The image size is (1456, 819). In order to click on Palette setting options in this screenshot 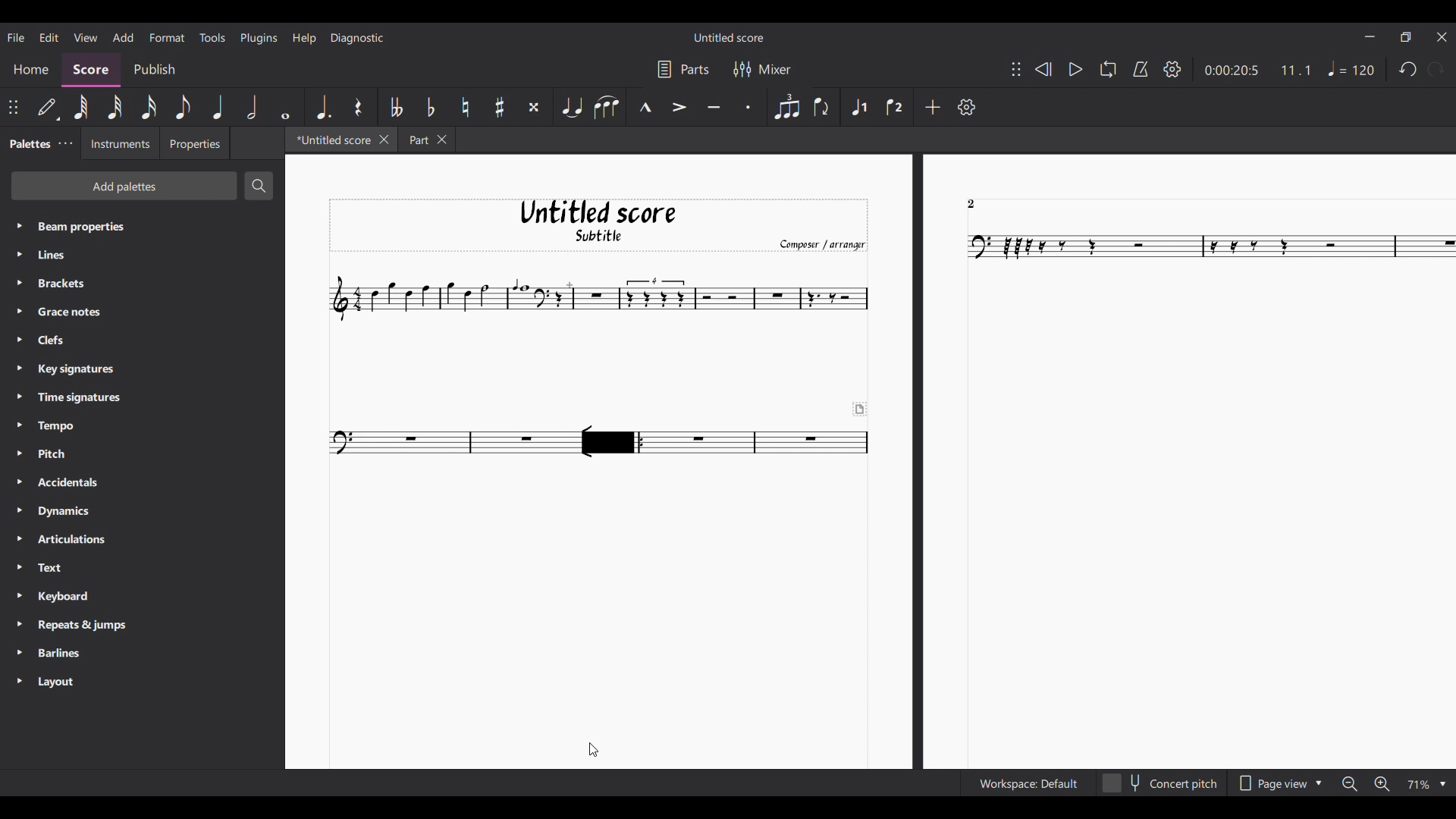, I will do `click(154, 455)`.